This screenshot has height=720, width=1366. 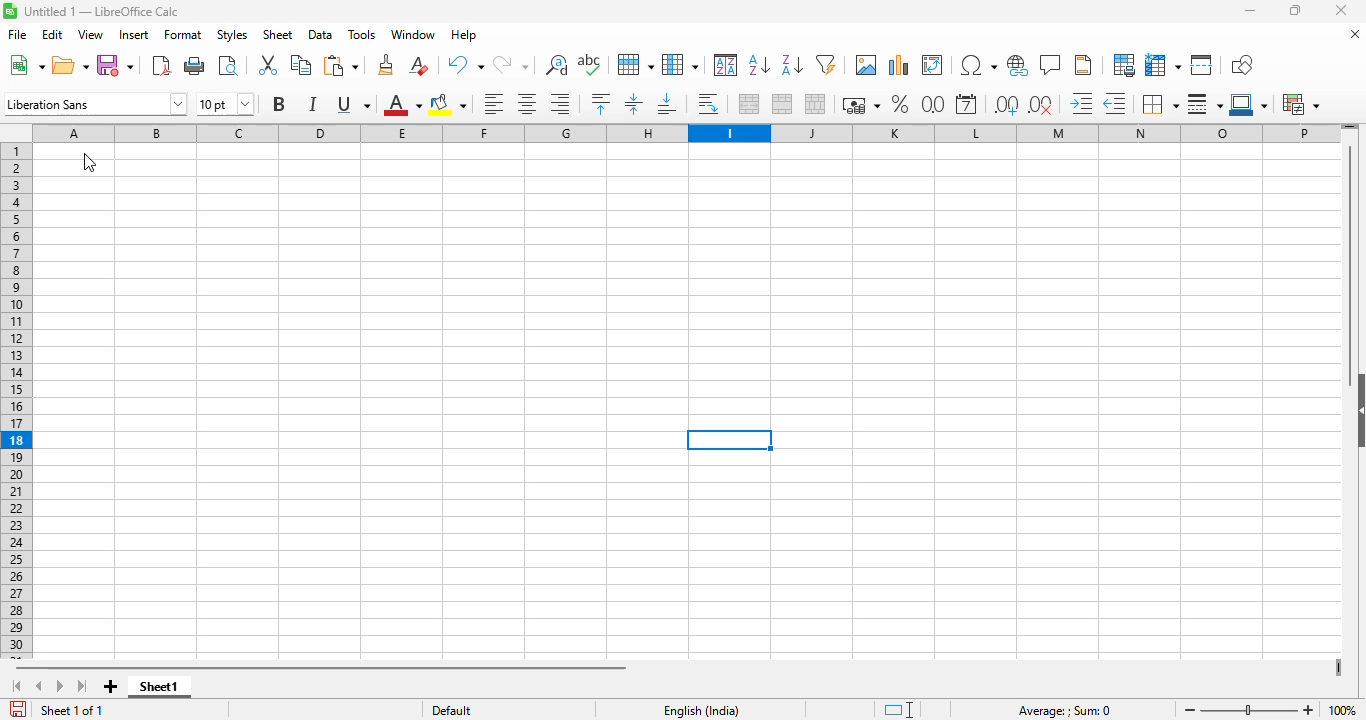 What do you see at coordinates (493, 104) in the screenshot?
I see `align left` at bounding box center [493, 104].